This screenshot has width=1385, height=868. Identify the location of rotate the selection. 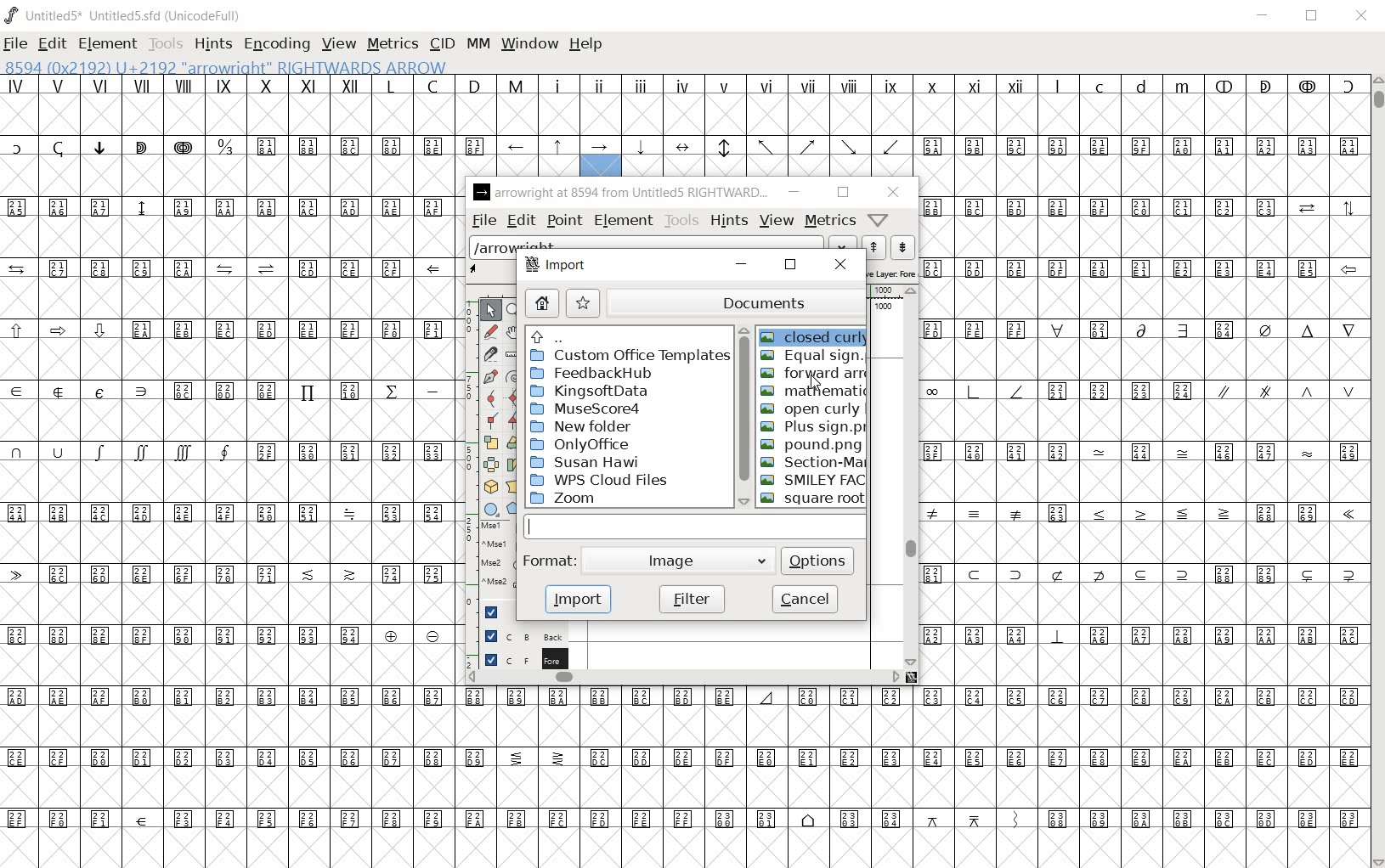
(515, 444).